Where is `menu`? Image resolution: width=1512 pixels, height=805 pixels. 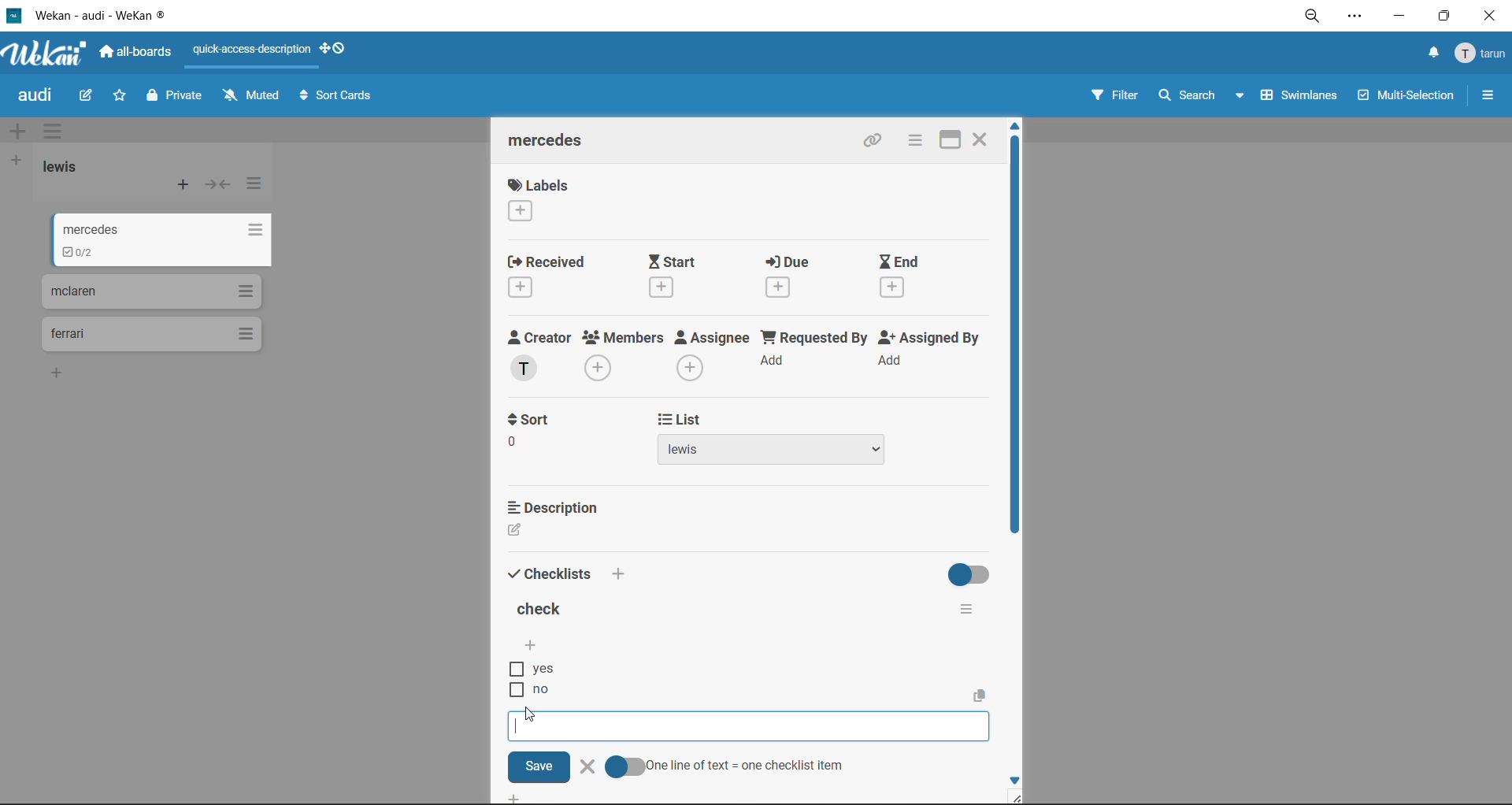 menu is located at coordinates (1479, 54).